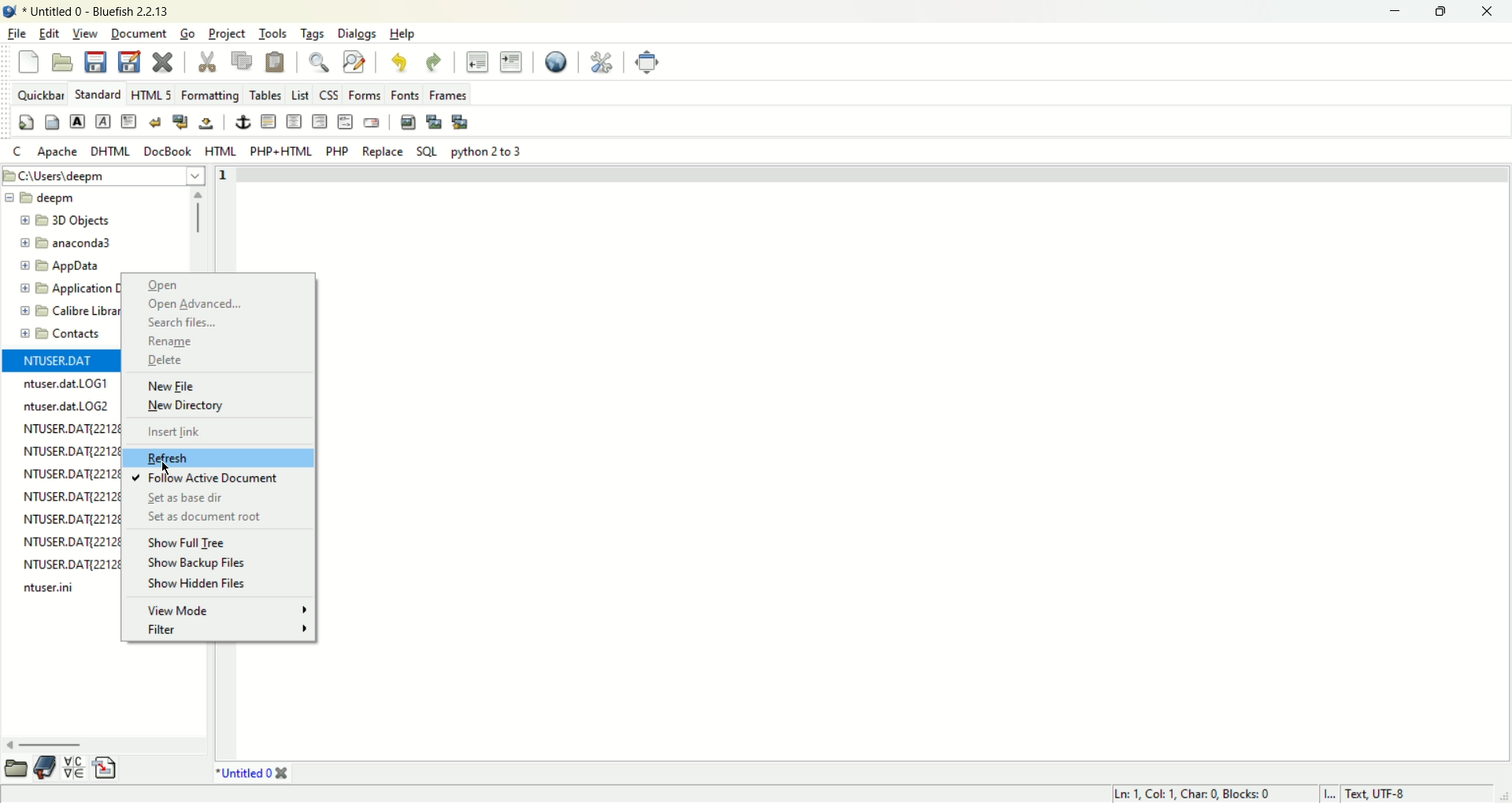 The height and width of the screenshot is (803, 1512). Describe the element at coordinates (209, 516) in the screenshot. I see `set as document root` at that location.